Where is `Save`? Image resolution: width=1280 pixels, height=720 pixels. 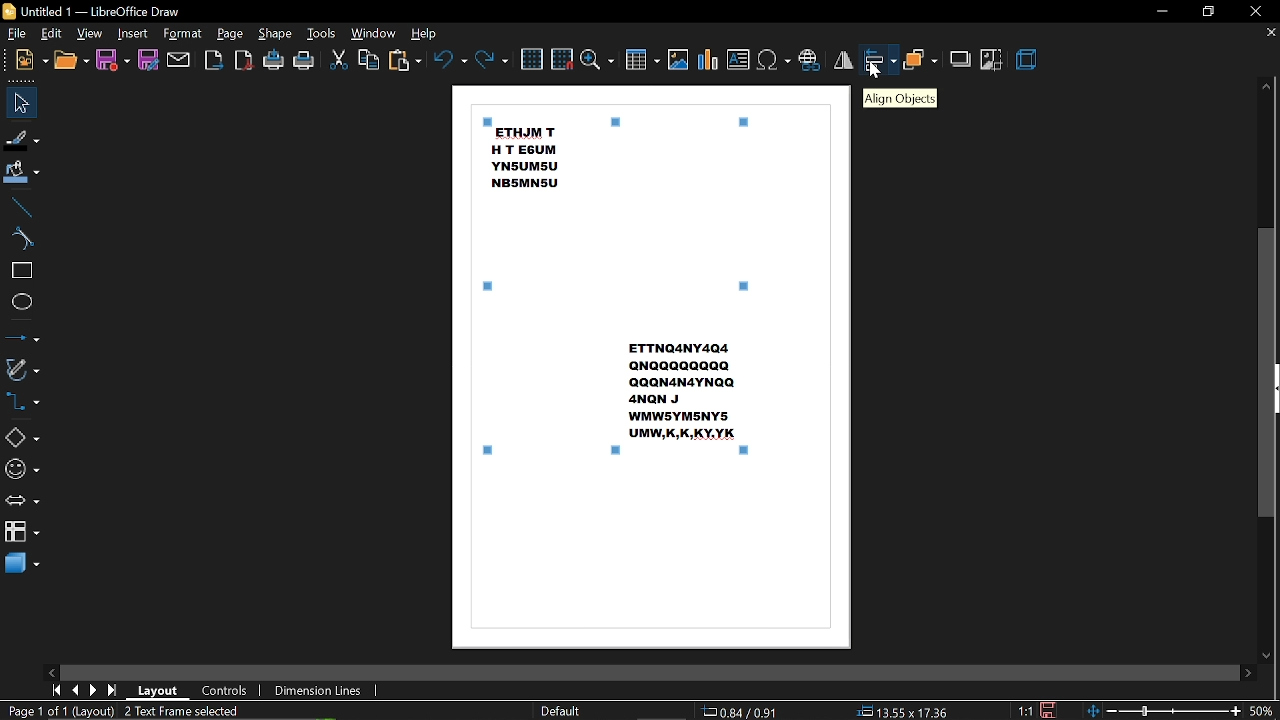 Save is located at coordinates (1054, 710).